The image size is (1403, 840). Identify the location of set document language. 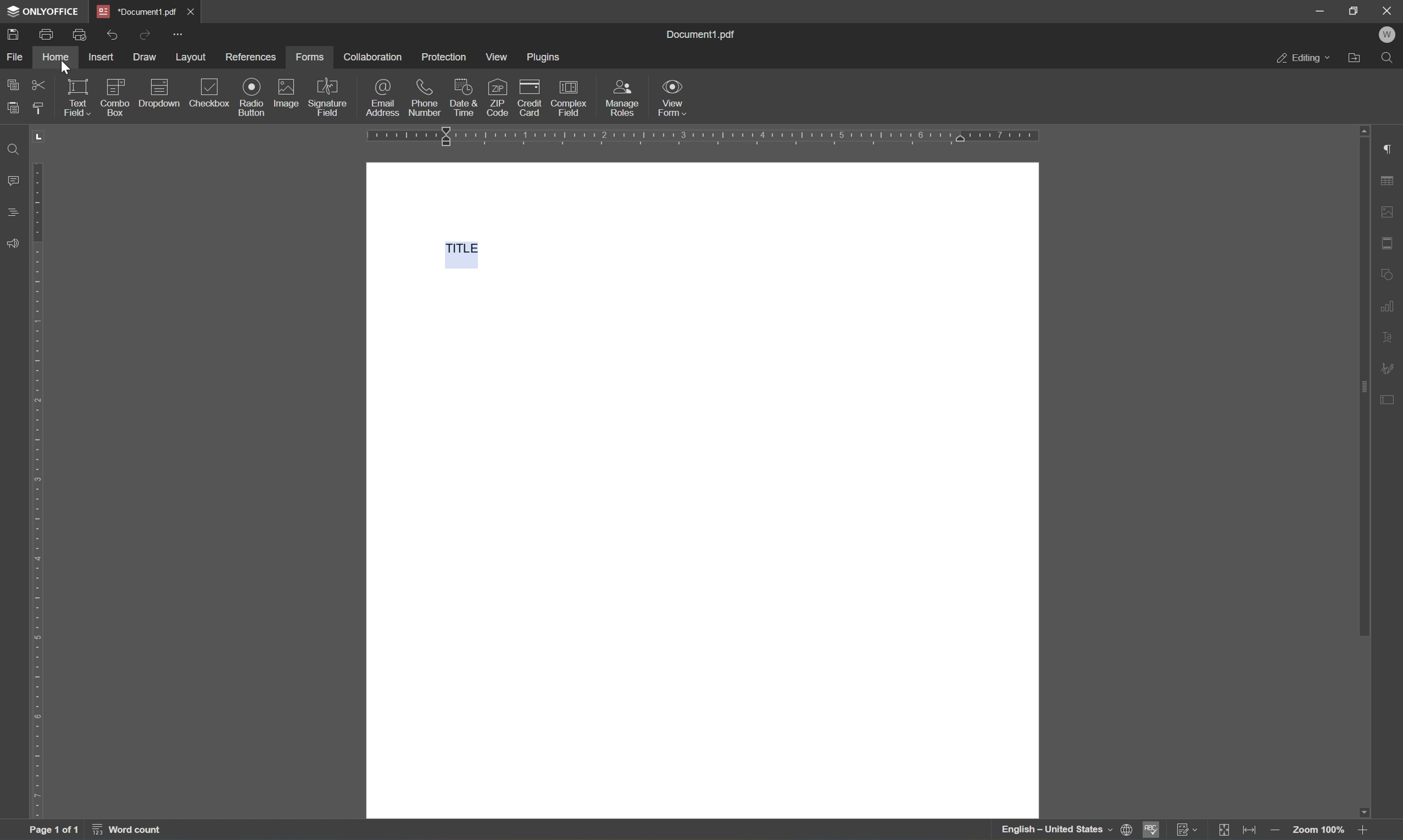
(1066, 831).